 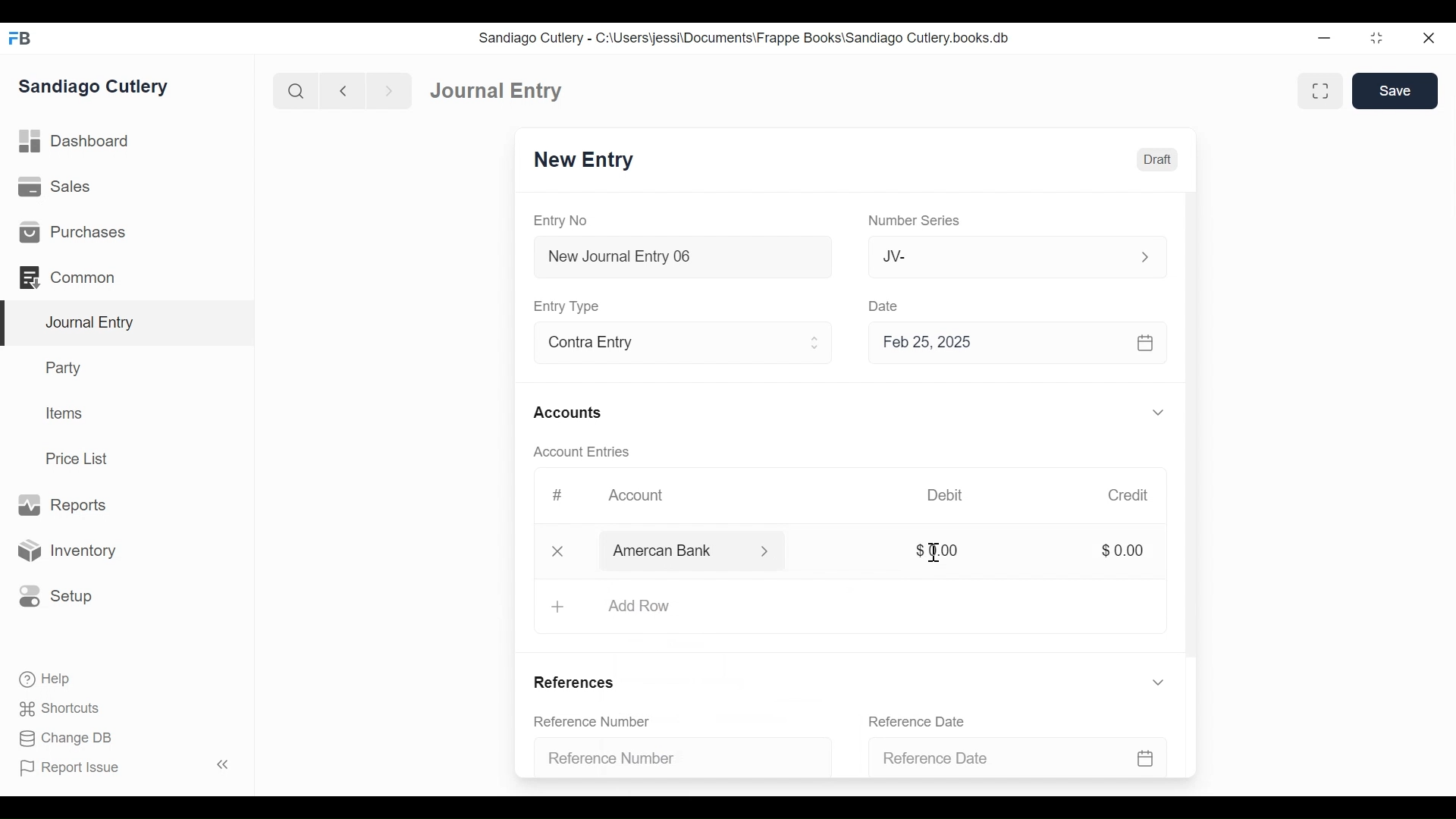 I want to click on Navigate Forward, so click(x=390, y=92).